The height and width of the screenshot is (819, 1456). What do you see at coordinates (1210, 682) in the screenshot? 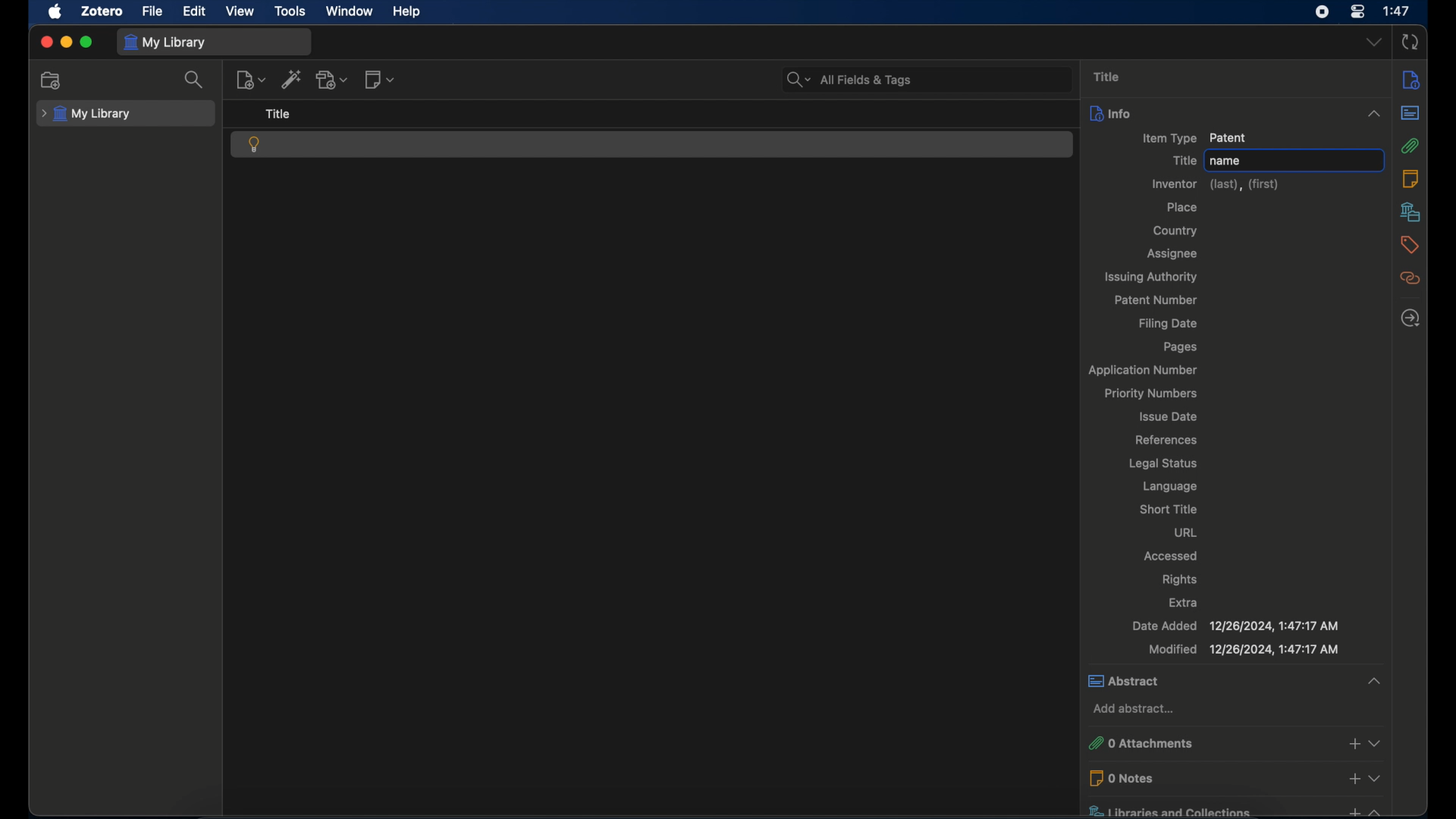
I see `abstract` at bounding box center [1210, 682].